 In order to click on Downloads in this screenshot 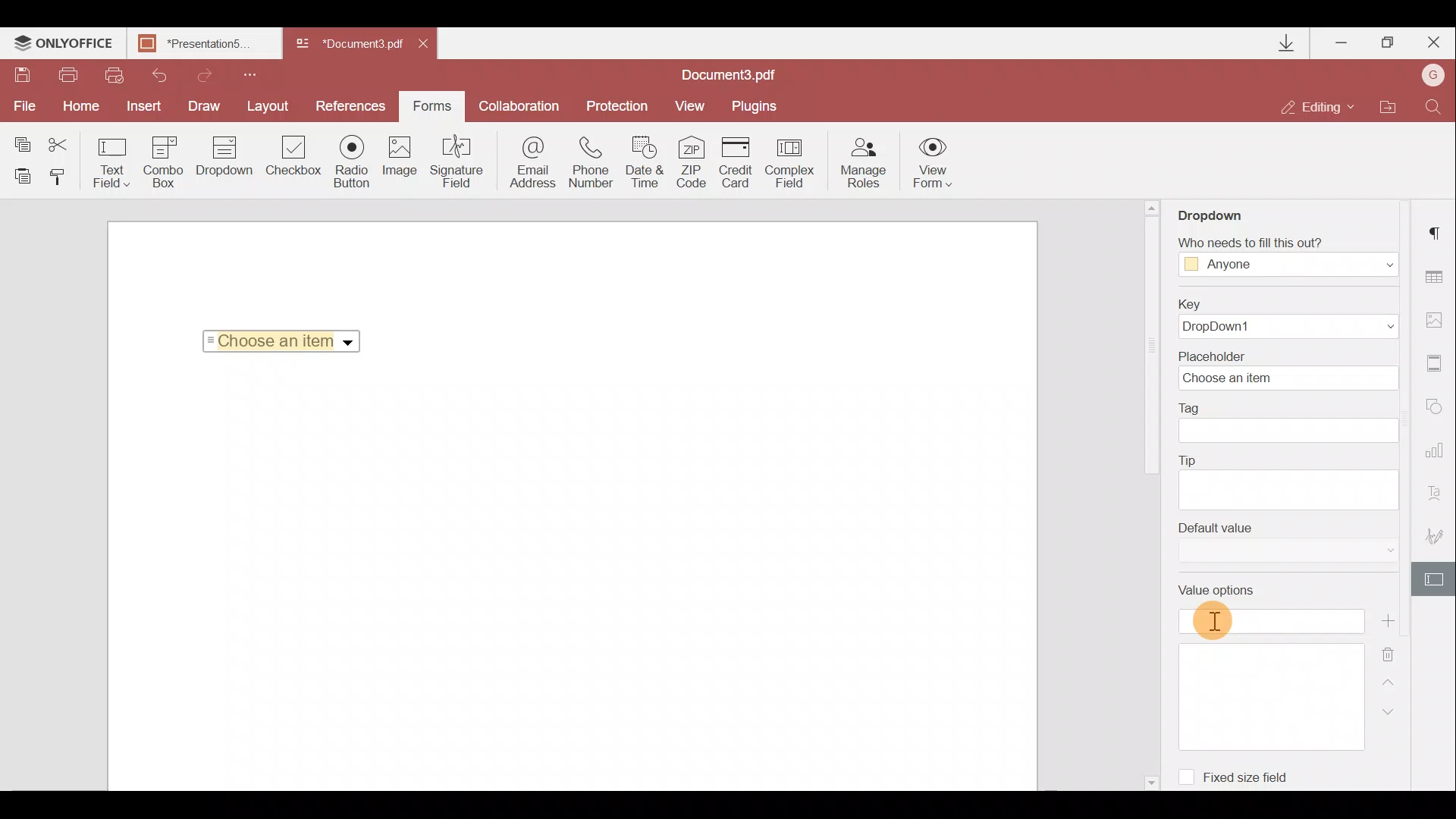, I will do `click(1288, 43)`.